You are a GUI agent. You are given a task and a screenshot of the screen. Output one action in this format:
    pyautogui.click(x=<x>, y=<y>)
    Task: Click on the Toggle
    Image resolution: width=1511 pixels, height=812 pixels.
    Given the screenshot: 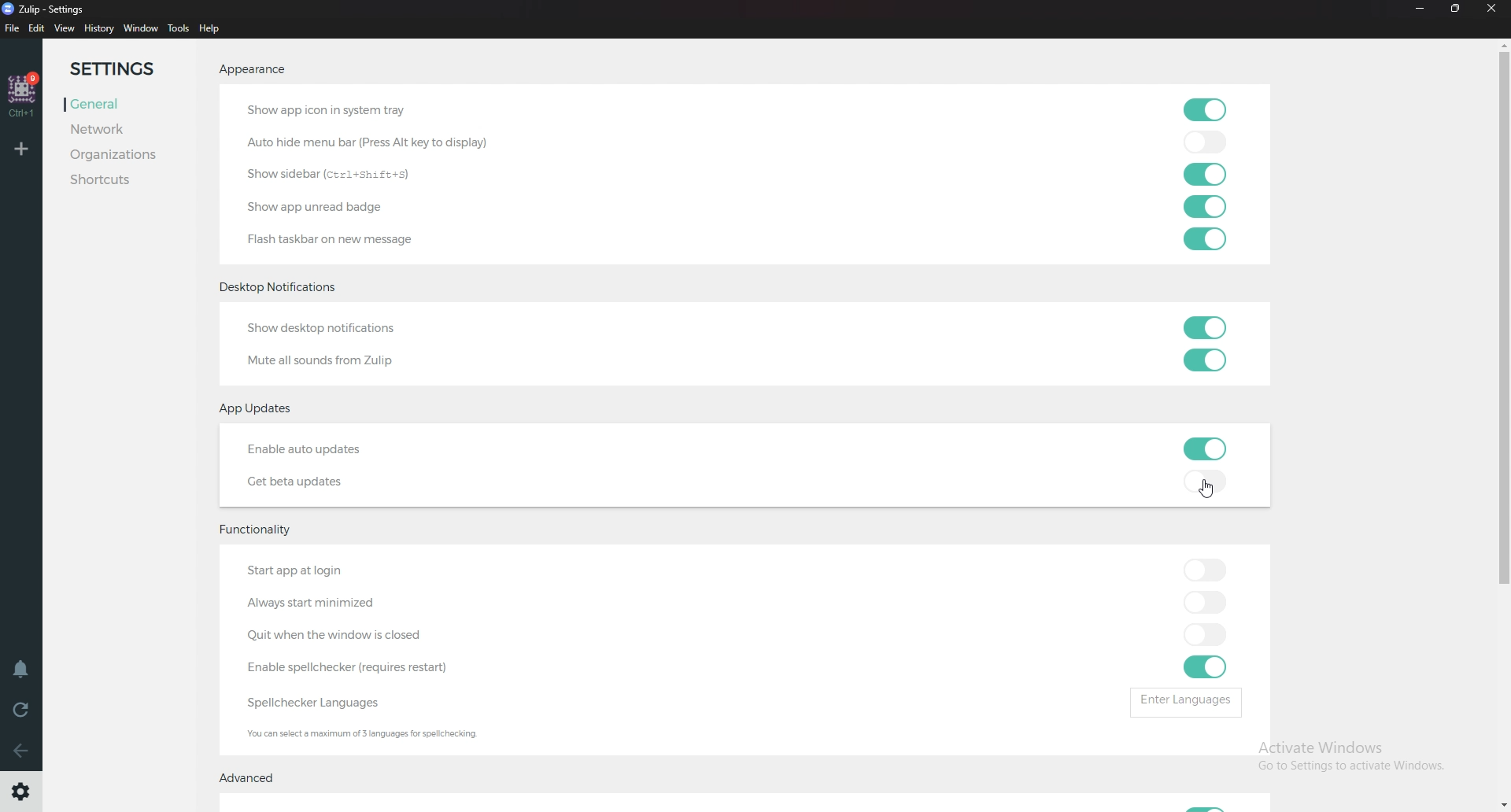 What is the action you would take?
    pyautogui.click(x=1203, y=802)
    